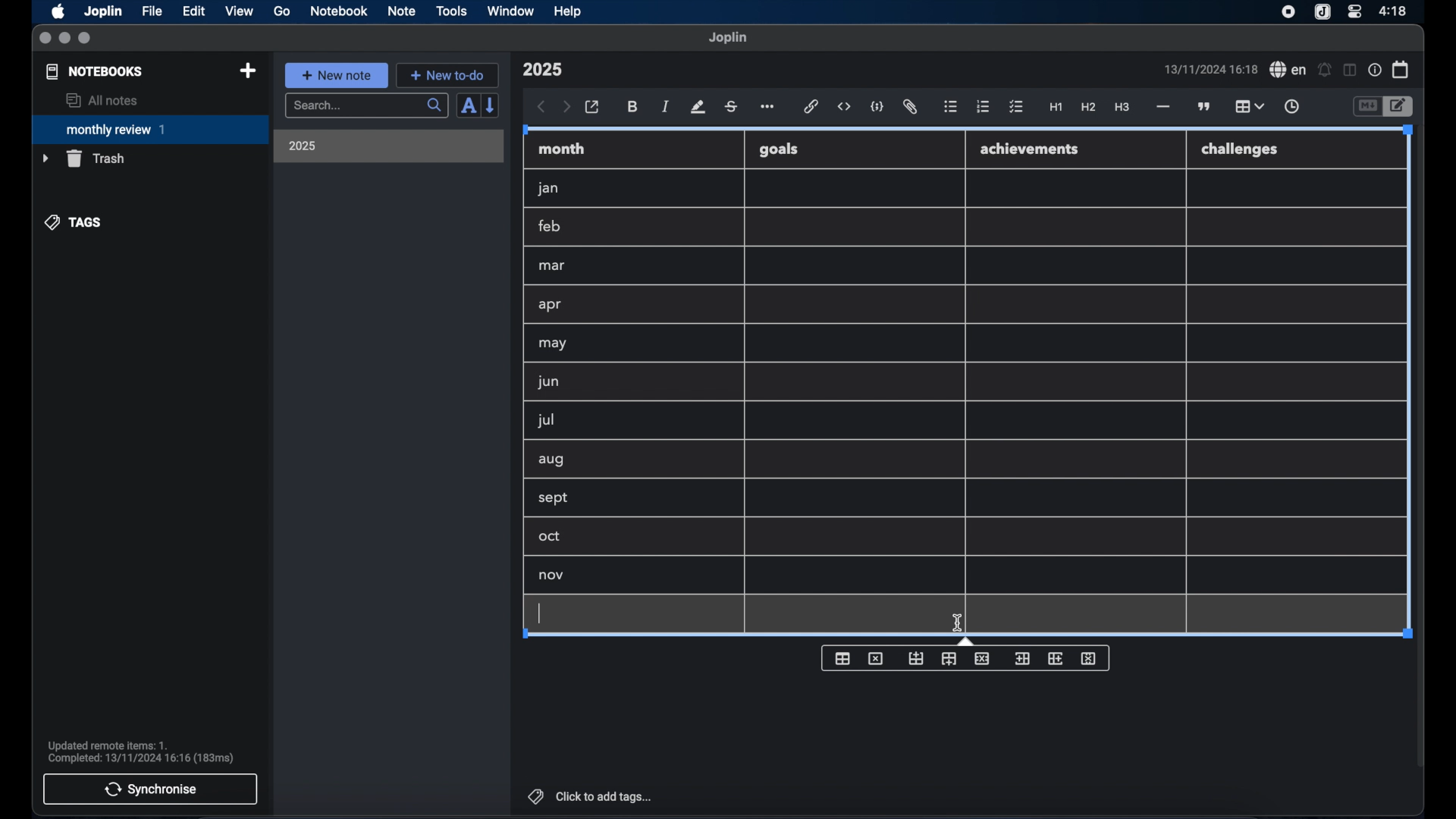  I want to click on goals, so click(780, 149).